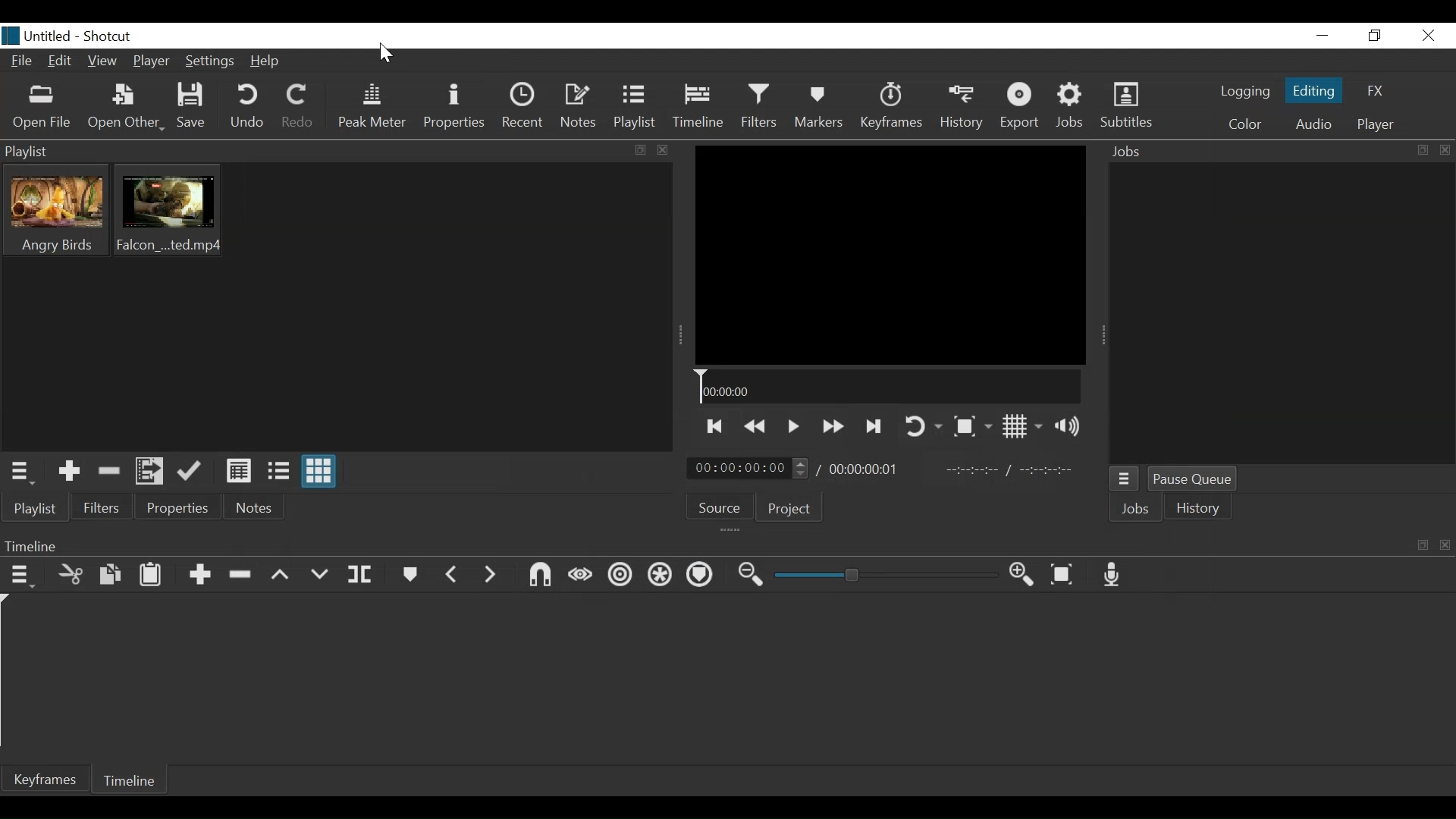 This screenshot has height=819, width=1456. What do you see at coordinates (22, 574) in the screenshot?
I see `Timeline Menu` at bounding box center [22, 574].